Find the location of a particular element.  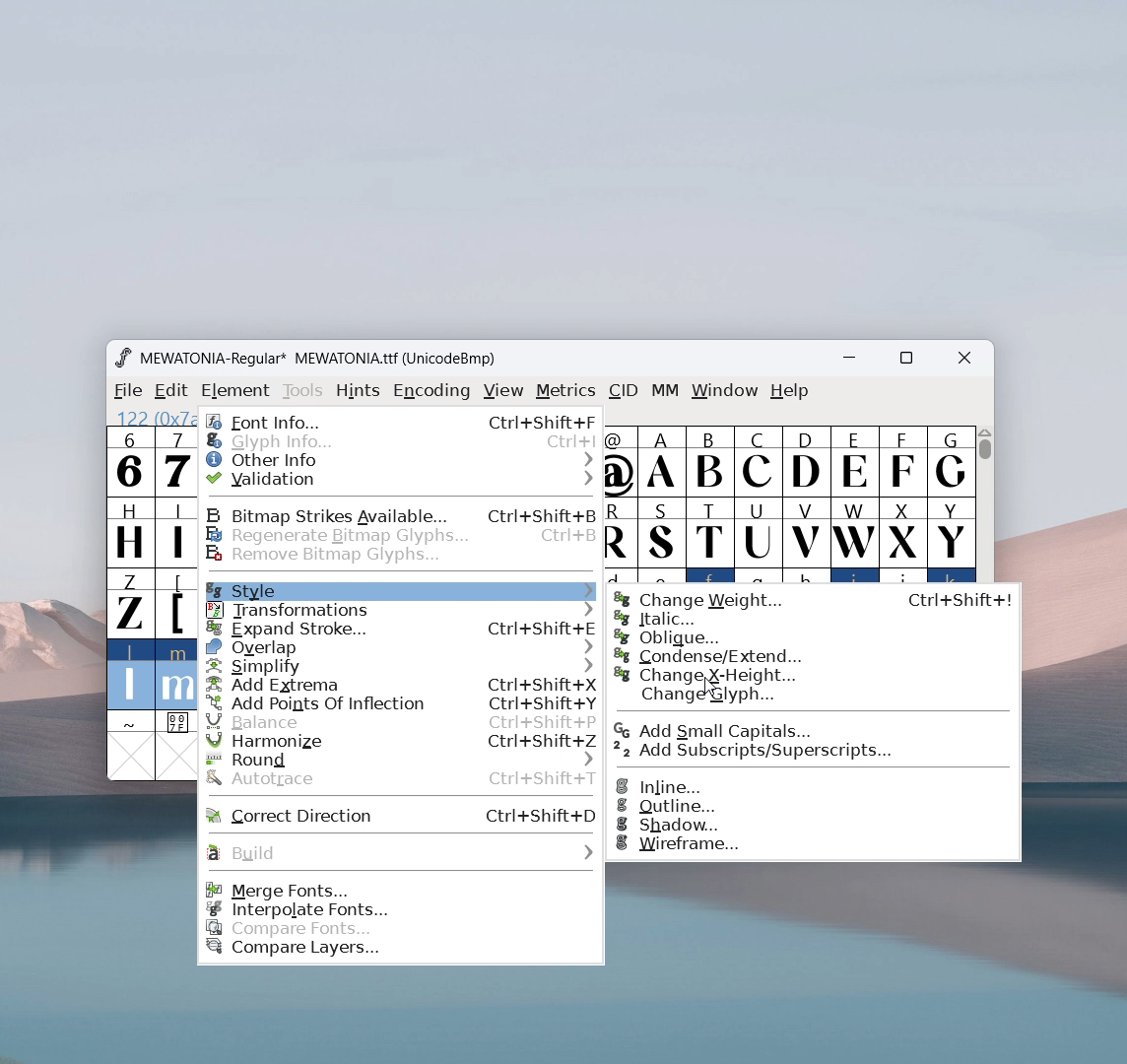

outline is located at coordinates (815, 805).